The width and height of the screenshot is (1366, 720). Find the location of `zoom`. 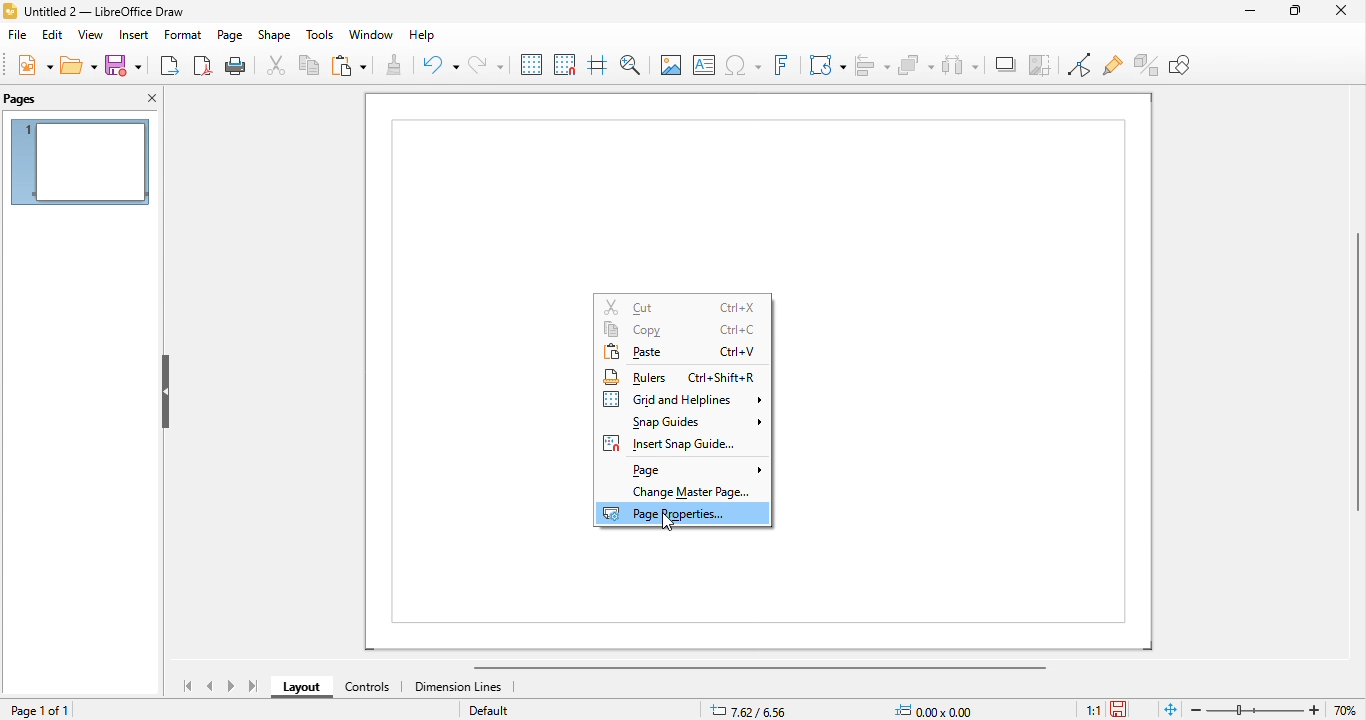

zoom is located at coordinates (1278, 709).